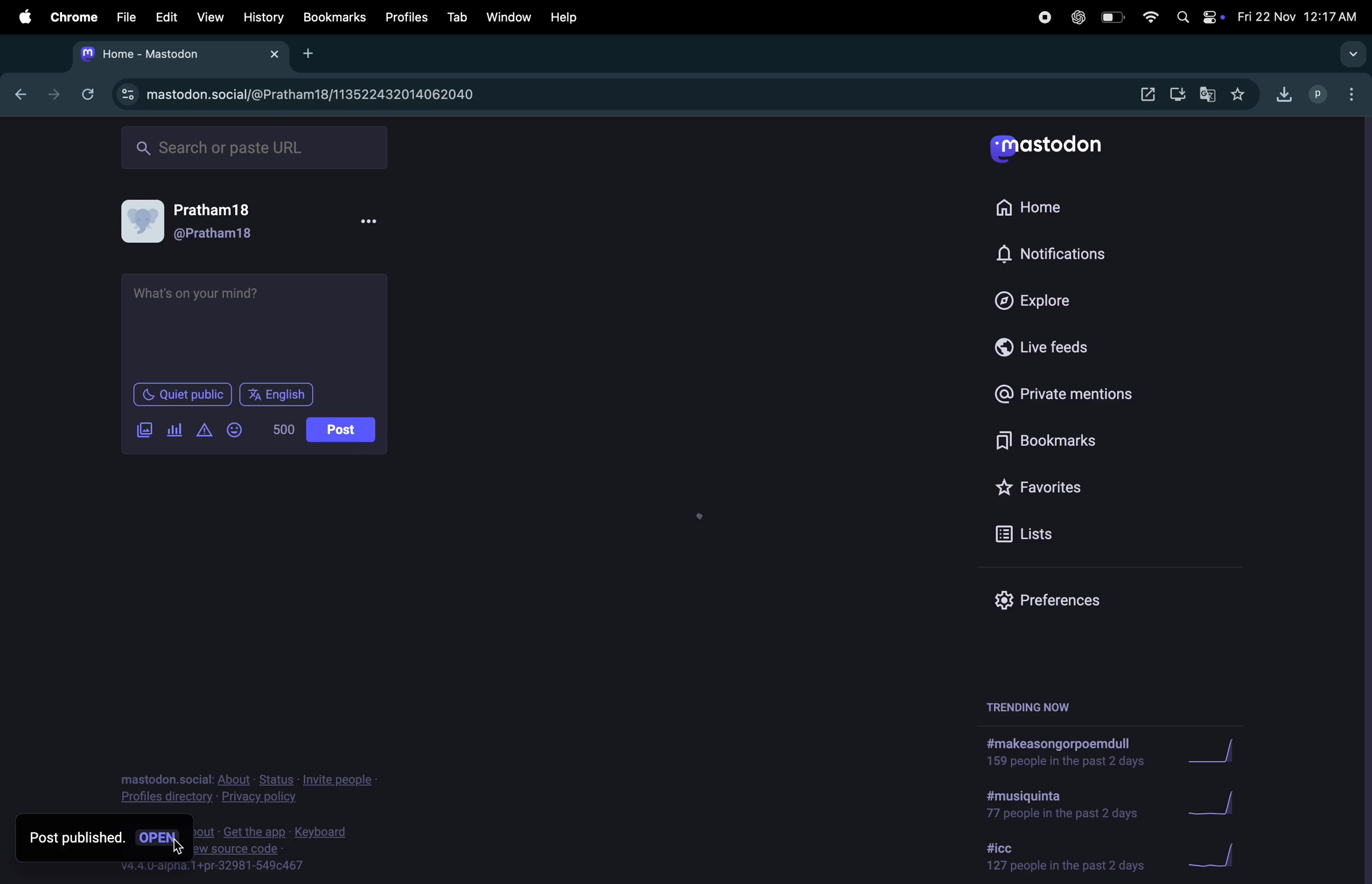 The height and width of the screenshot is (884, 1372). What do you see at coordinates (509, 14) in the screenshot?
I see `window` at bounding box center [509, 14].